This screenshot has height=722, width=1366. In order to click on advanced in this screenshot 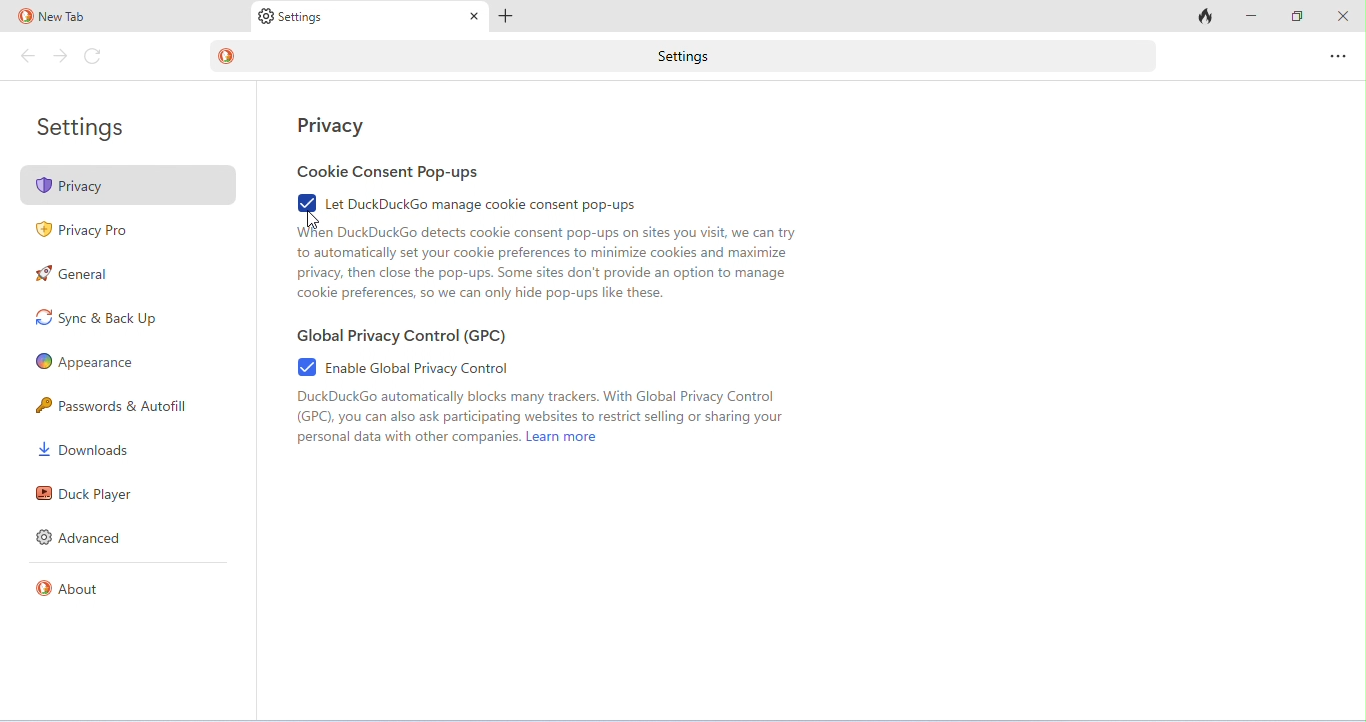, I will do `click(82, 537)`.